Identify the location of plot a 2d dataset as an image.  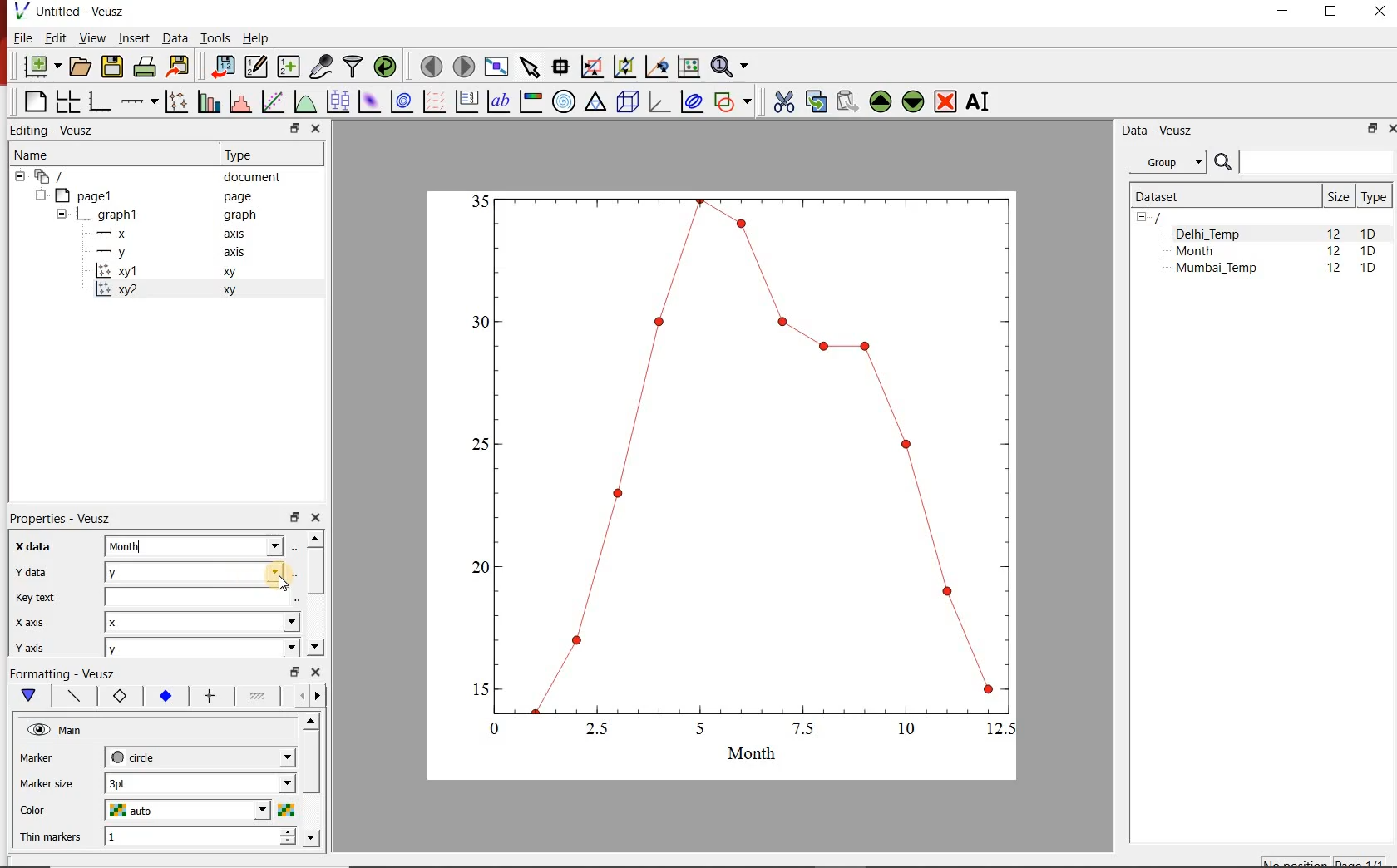
(371, 101).